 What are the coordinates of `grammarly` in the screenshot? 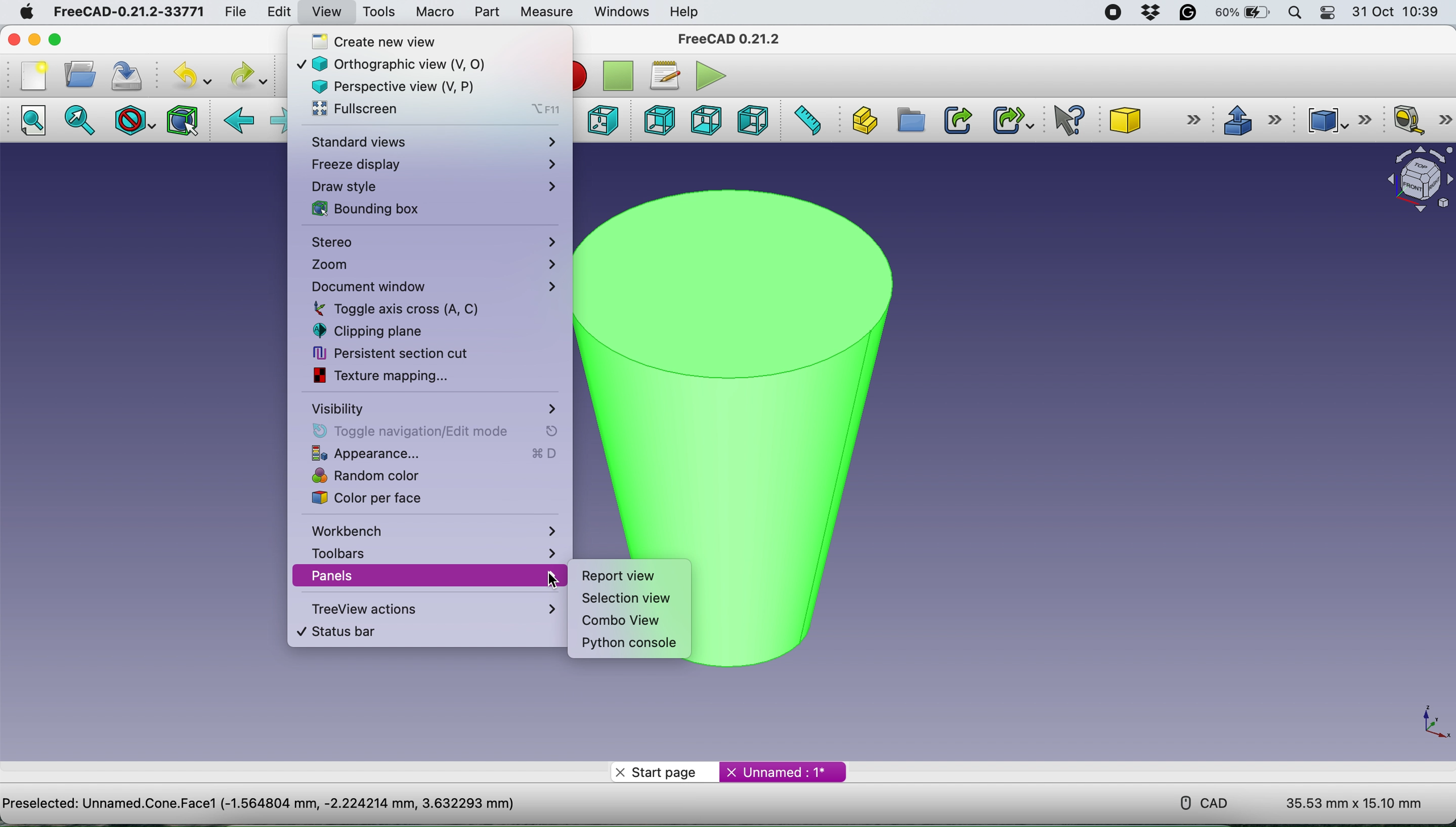 It's located at (1189, 15).